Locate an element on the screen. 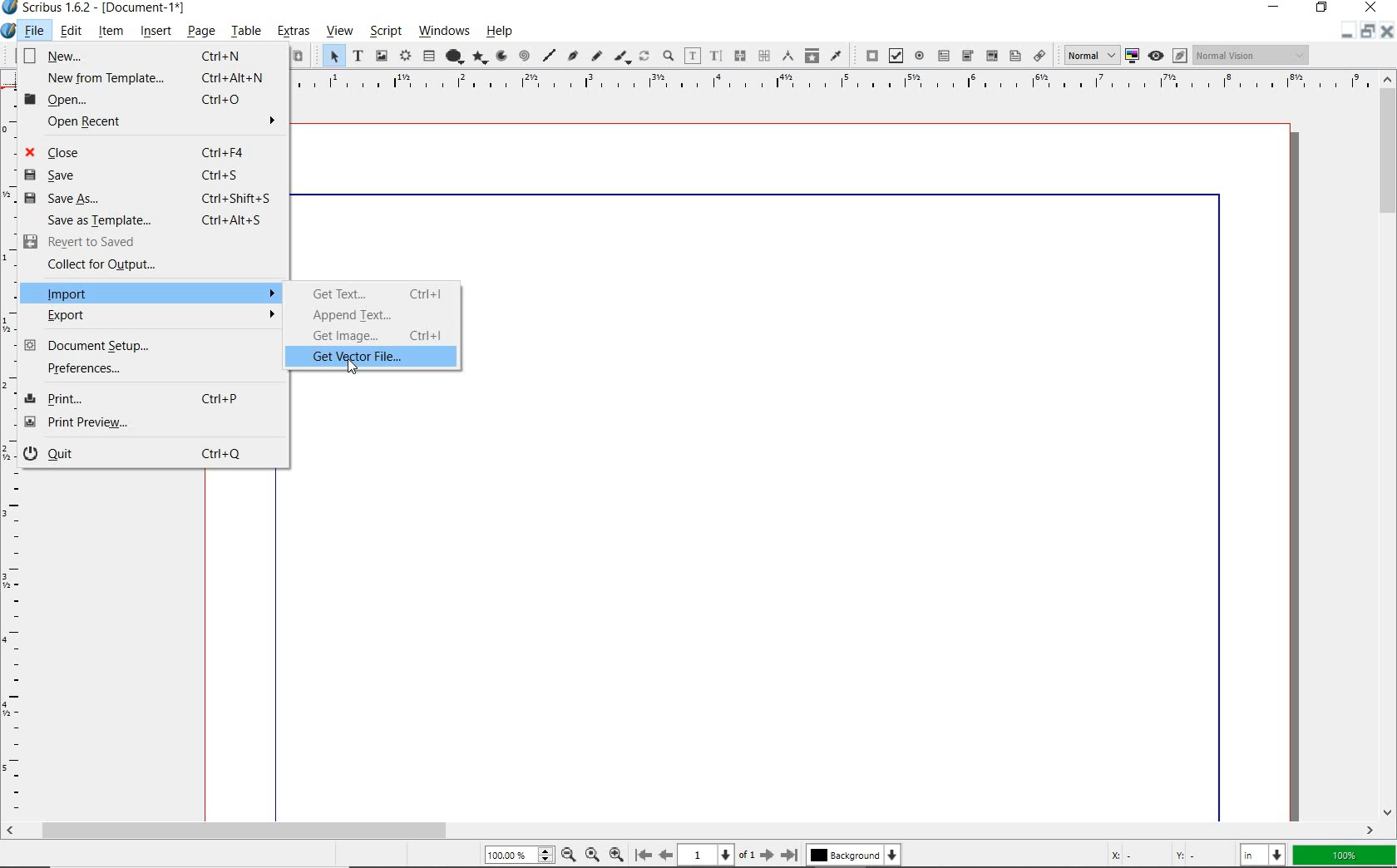  Save as Template... Ctrl+Alt+S is located at coordinates (153, 219).